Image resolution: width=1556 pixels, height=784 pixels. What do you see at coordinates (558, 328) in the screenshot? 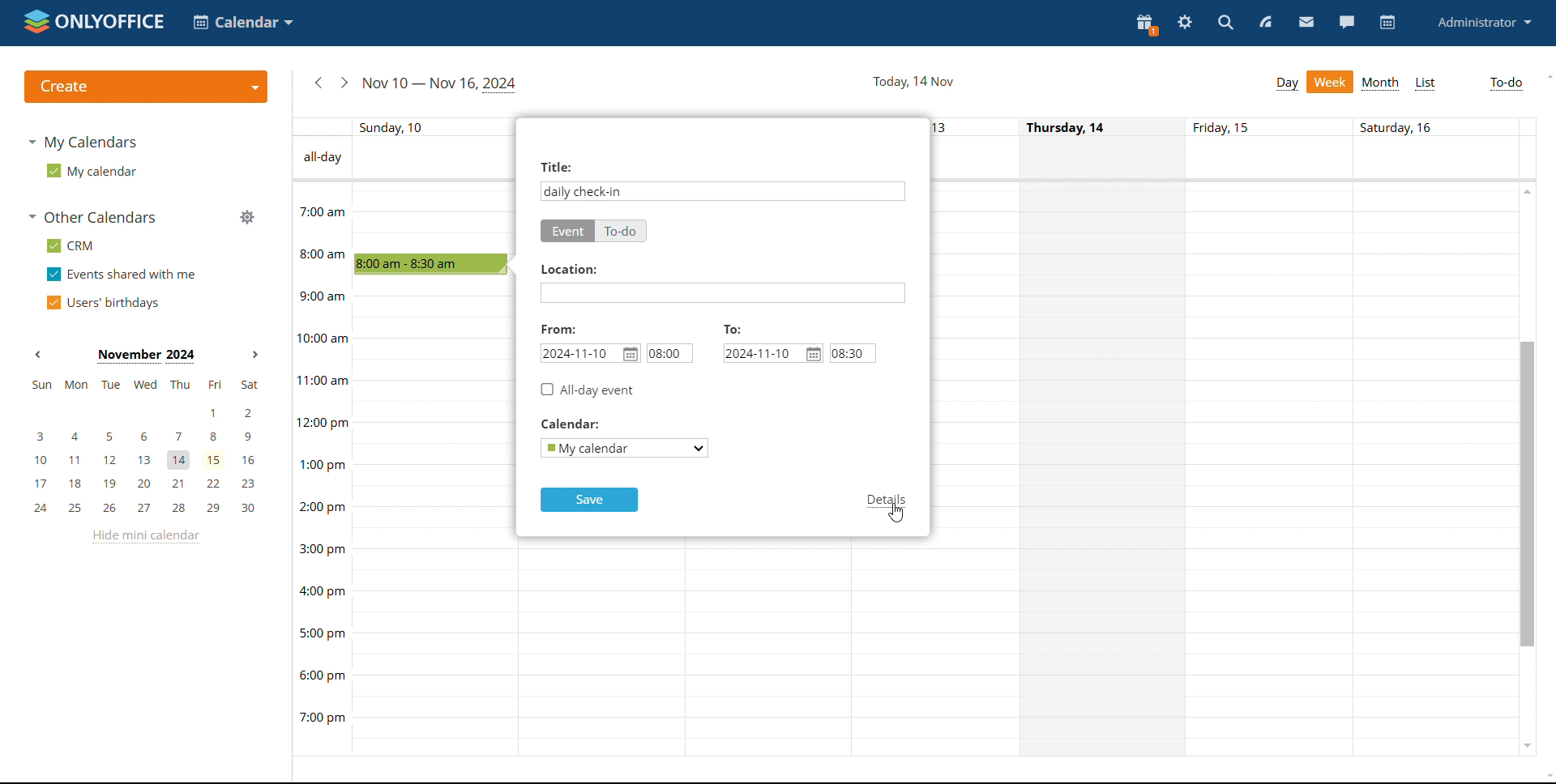
I see `from:` at bounding box center [558, 328].